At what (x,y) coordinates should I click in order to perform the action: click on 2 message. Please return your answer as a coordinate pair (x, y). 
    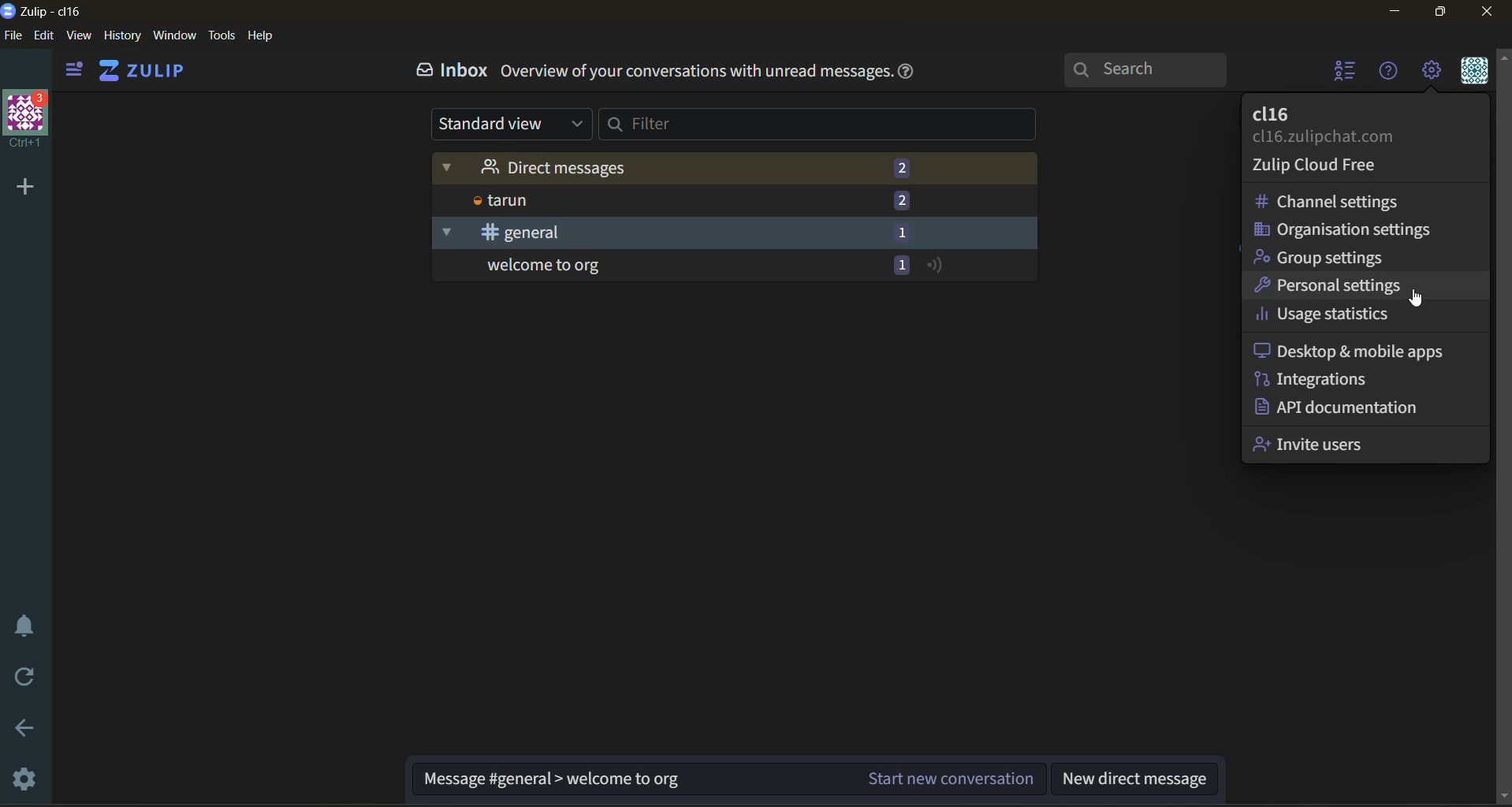
    Looking at the image, I should click on (901, 201).